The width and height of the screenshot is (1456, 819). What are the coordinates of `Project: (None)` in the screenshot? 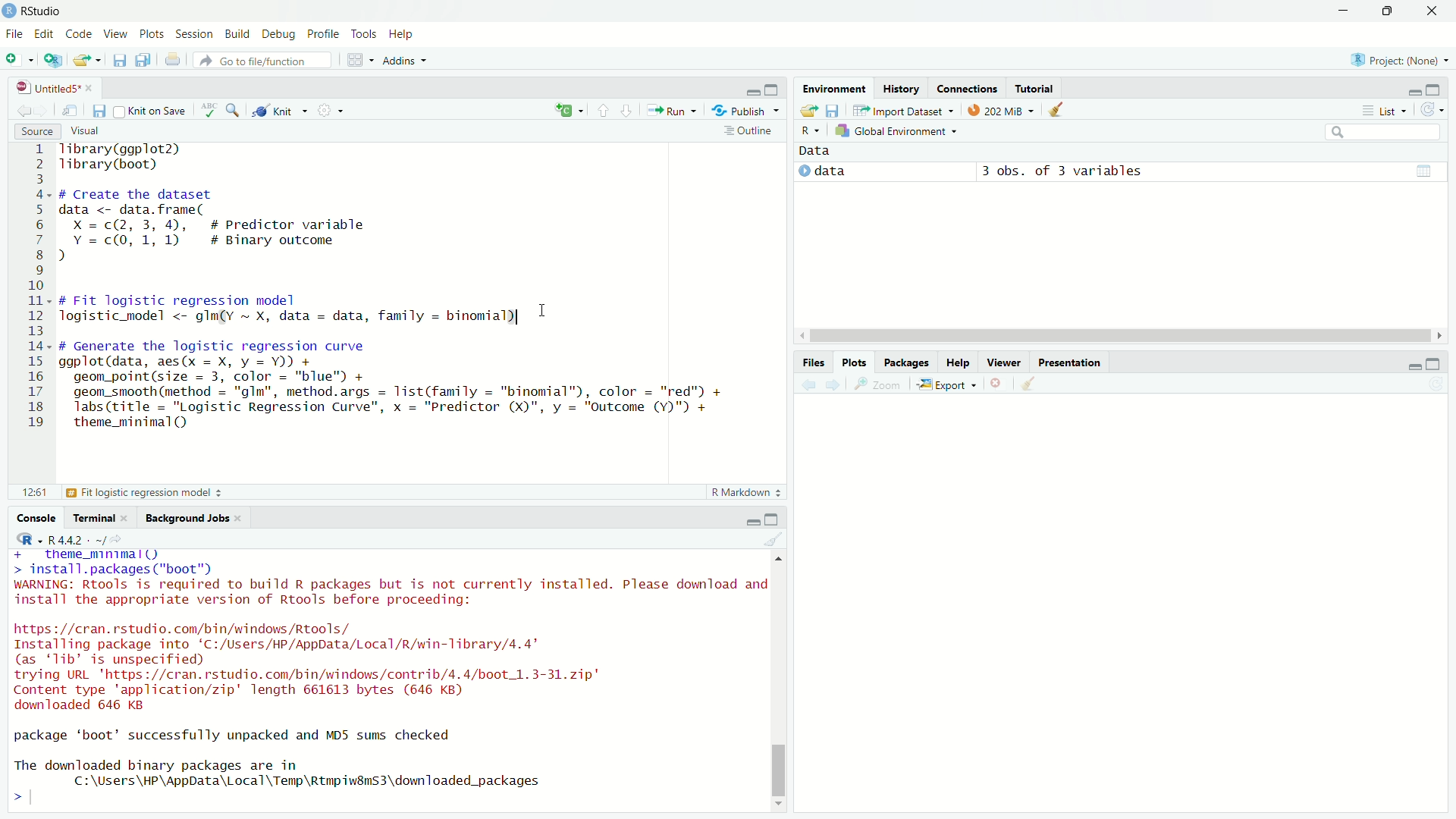 It's located at (1399, 60).